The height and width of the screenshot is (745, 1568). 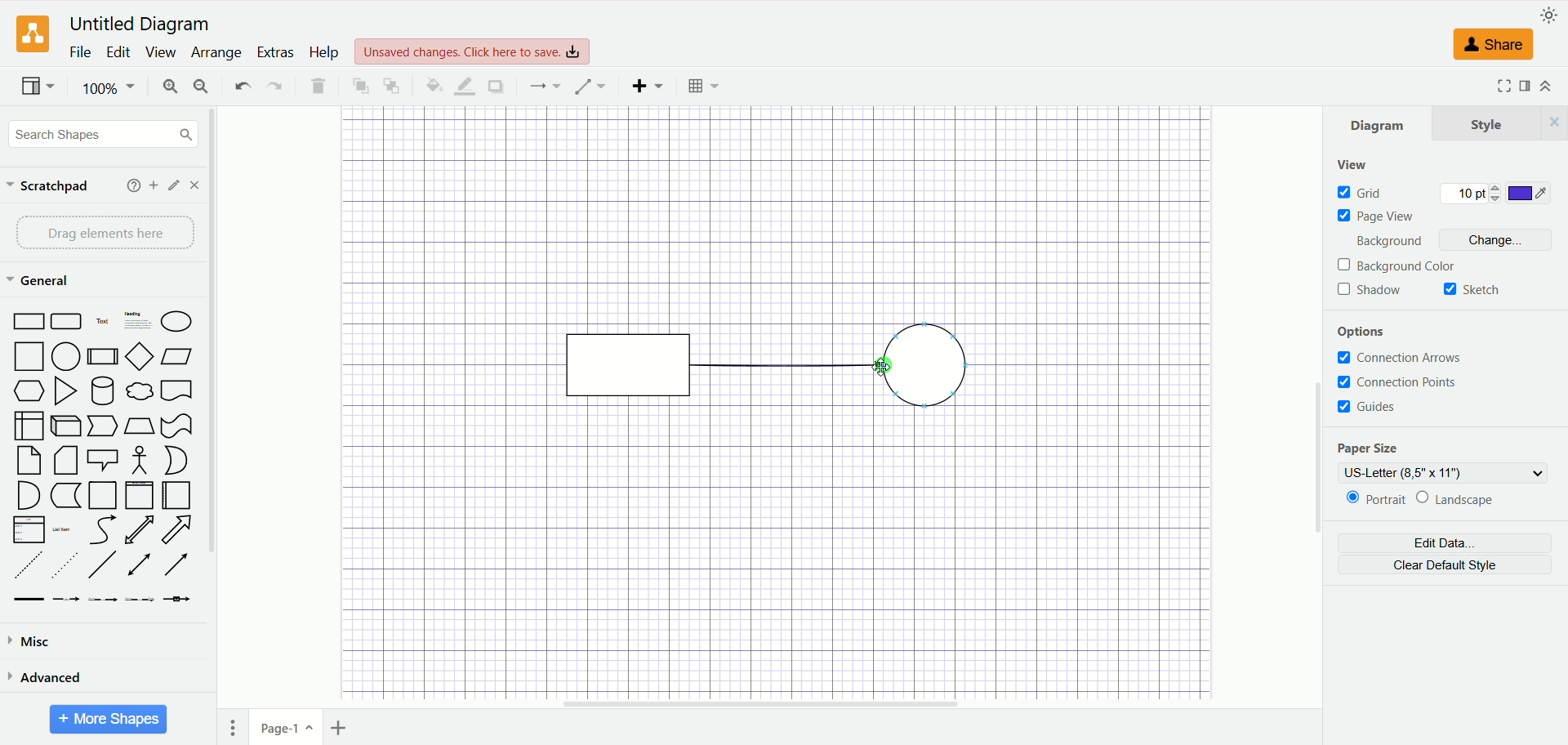 What do you see at coordinates (341, 730) in the screenshot?
I see `insert page` at bounding box center [341, 730].